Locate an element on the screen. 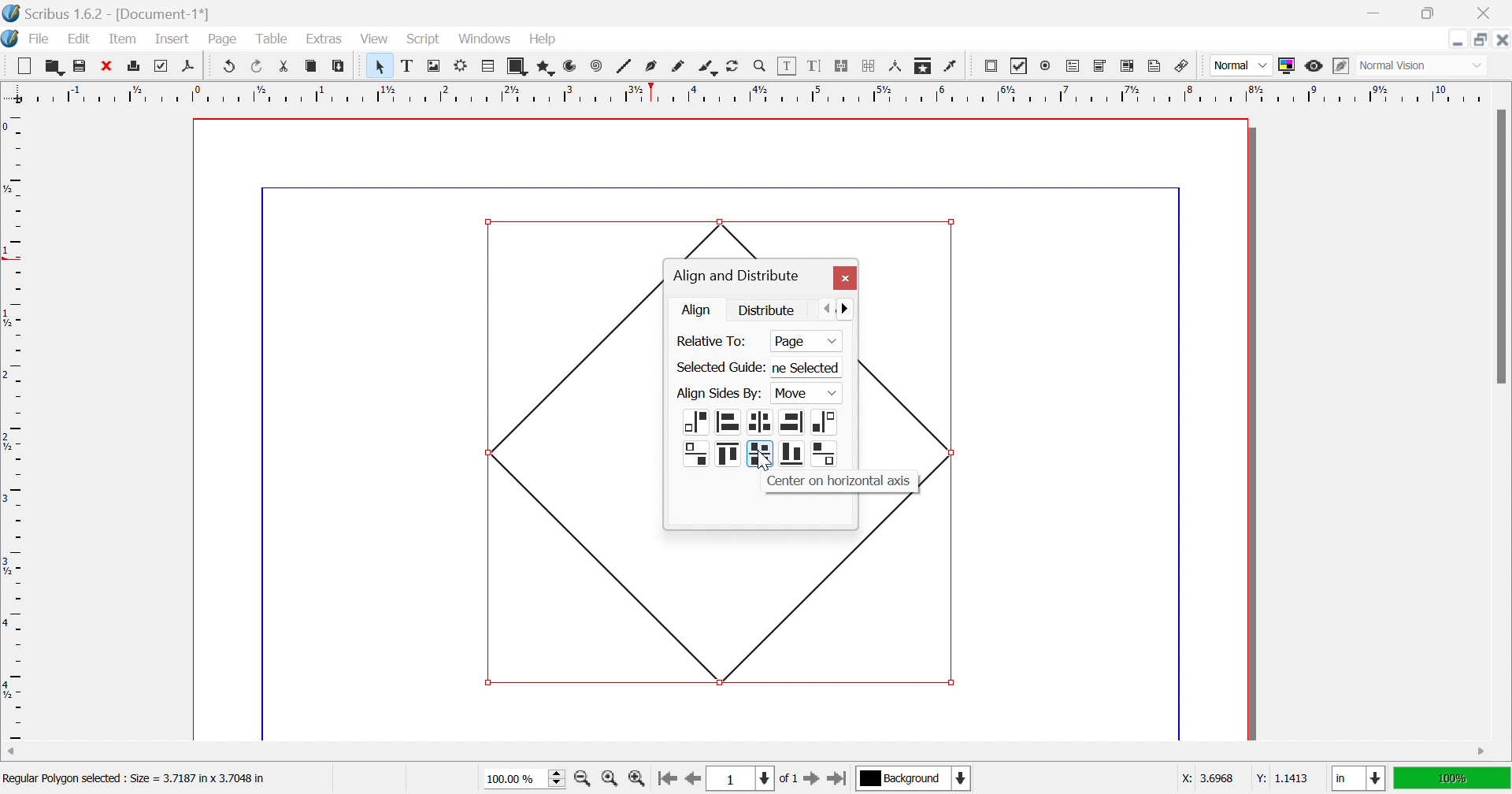 This screenshot has height=794, width=1512. Paste is located at coordinates (341, 66).